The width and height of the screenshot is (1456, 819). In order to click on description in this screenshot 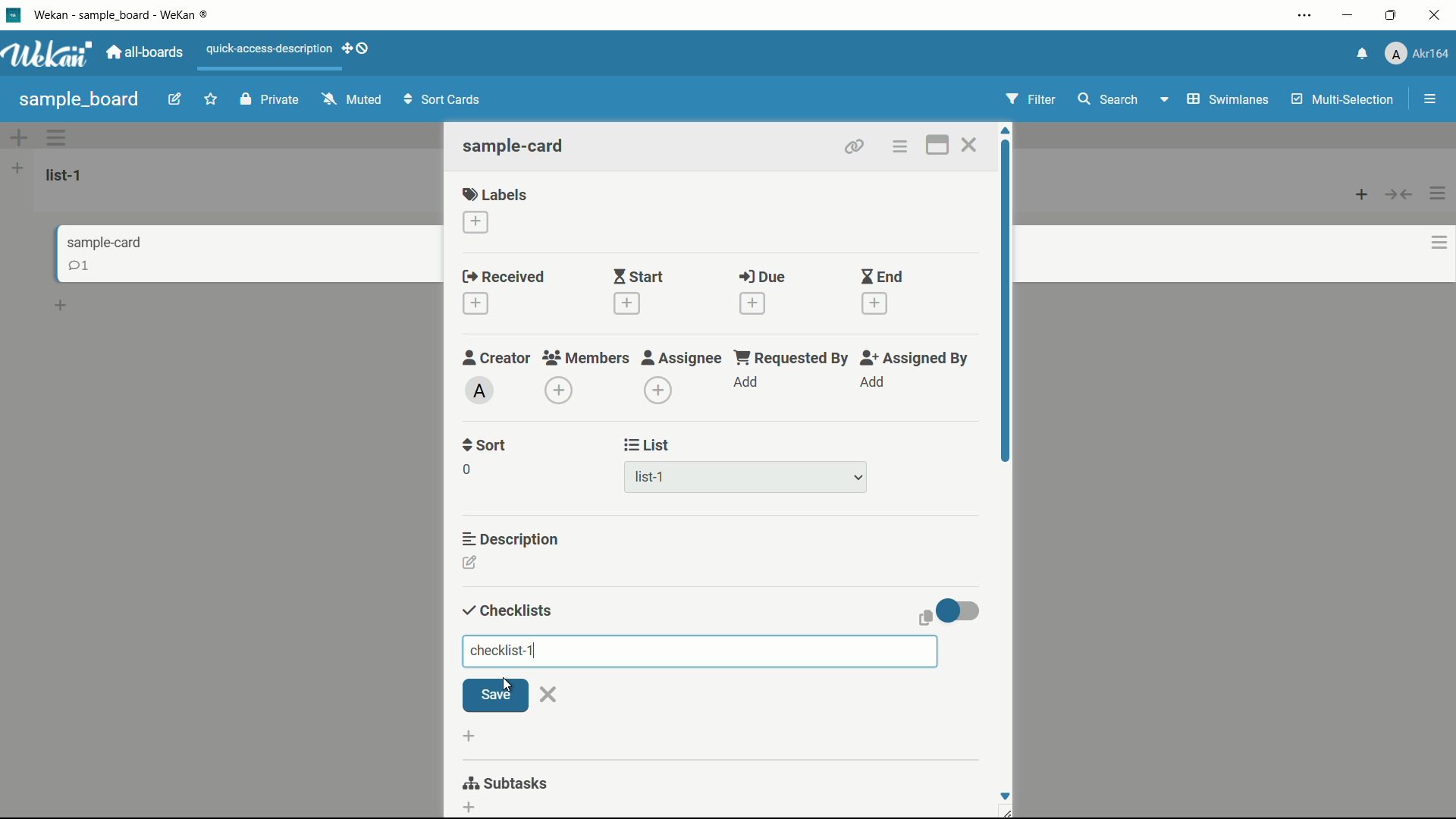, I will do `click(515, 539)`.